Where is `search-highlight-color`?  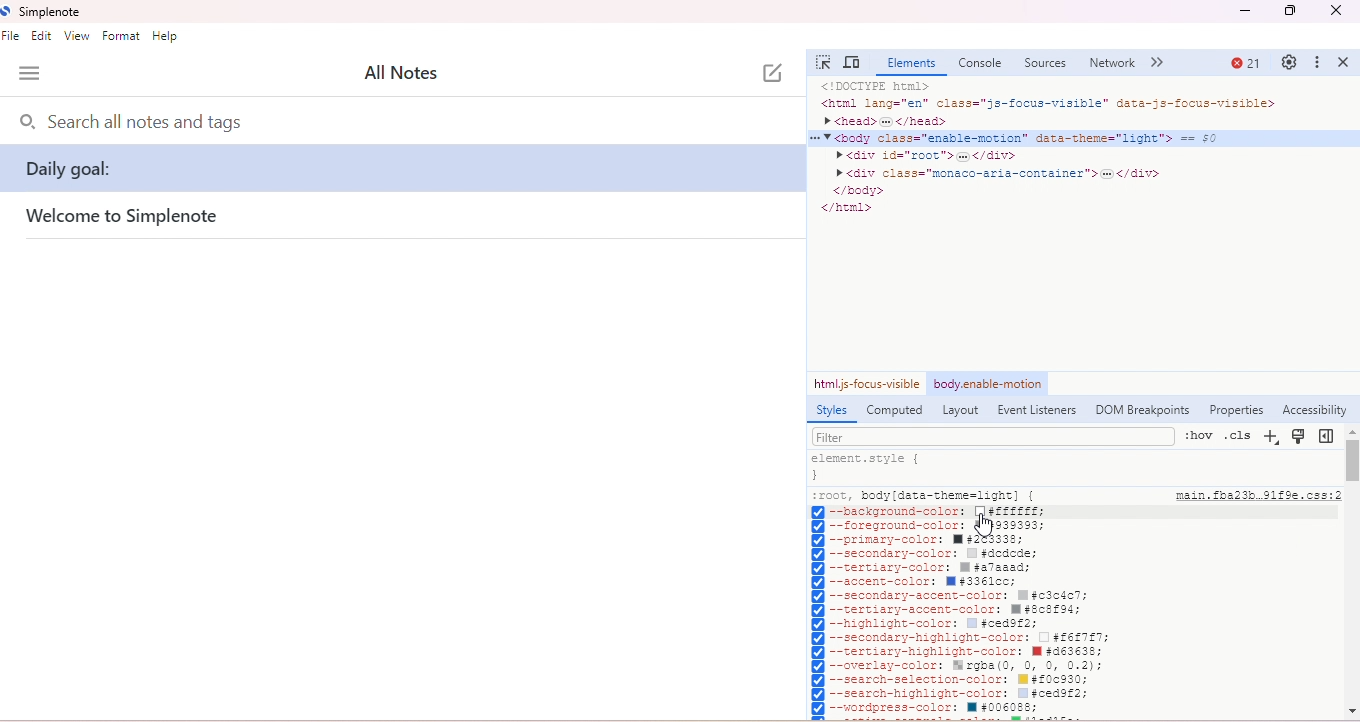 search-highlight-color is located at coordinates (959, 695).